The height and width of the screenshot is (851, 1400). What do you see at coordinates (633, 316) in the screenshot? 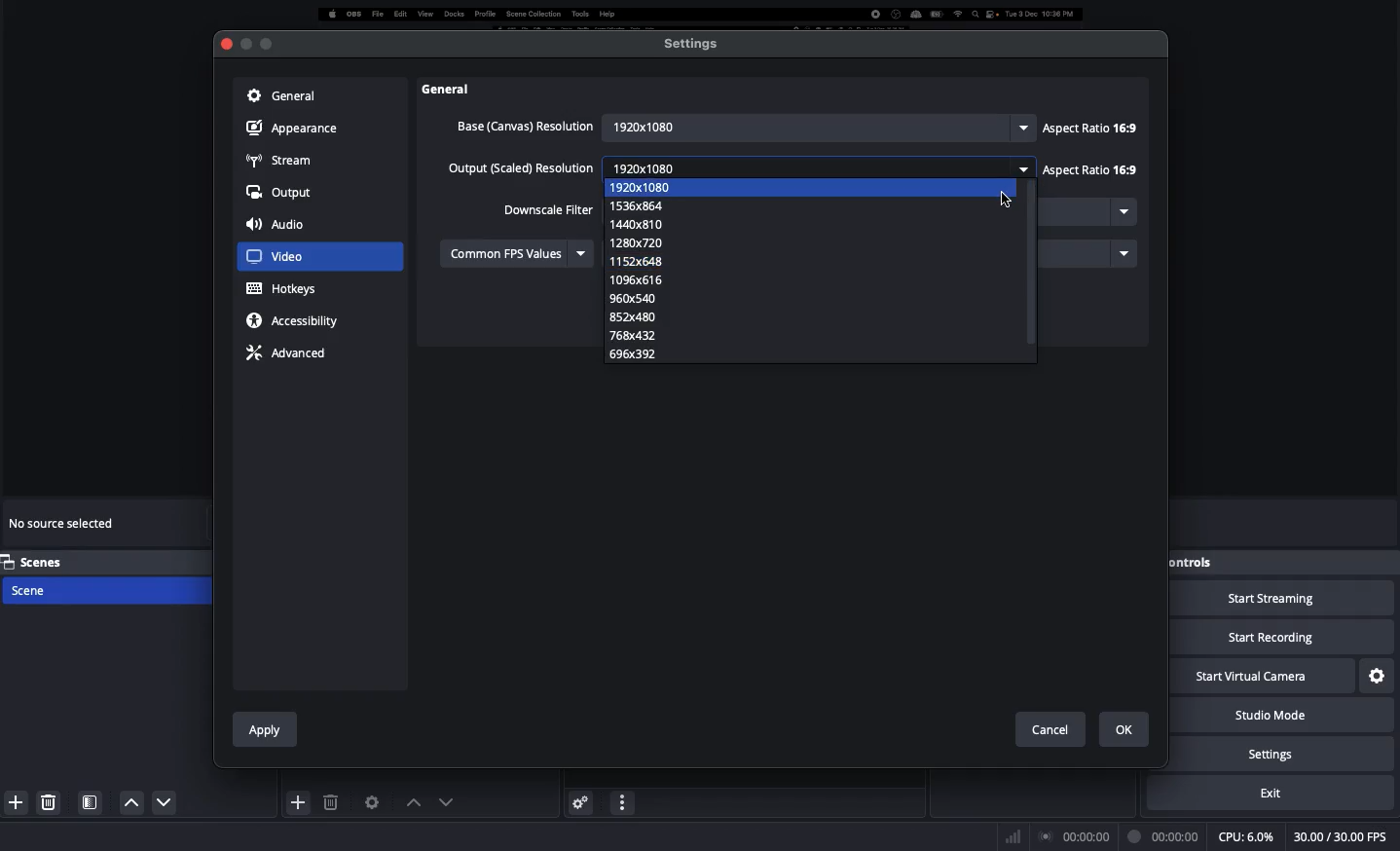
I see `852x480` at bounding box center [633, 316].